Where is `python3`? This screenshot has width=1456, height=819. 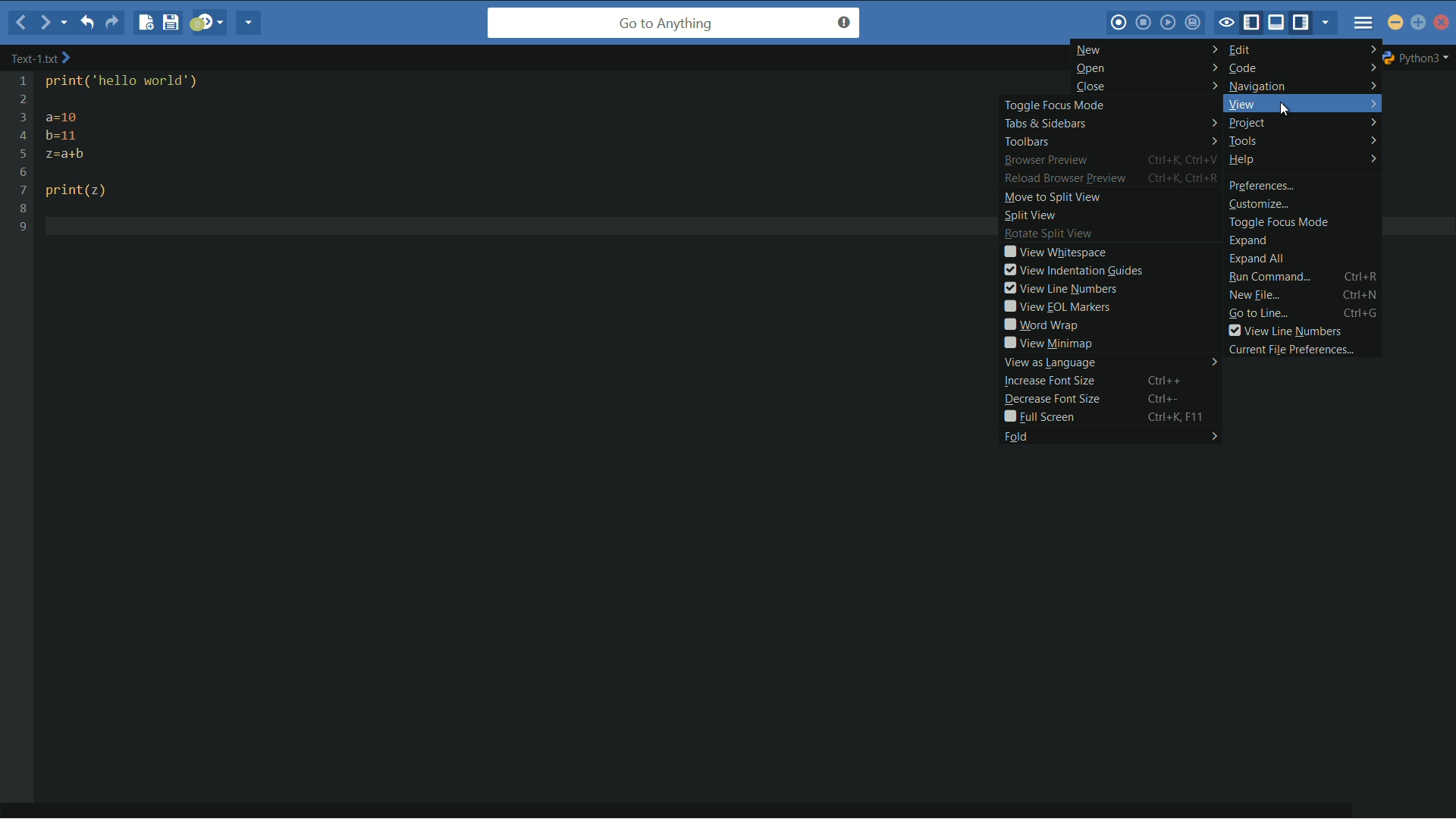 python3 is located at coordinates (1420, 57).